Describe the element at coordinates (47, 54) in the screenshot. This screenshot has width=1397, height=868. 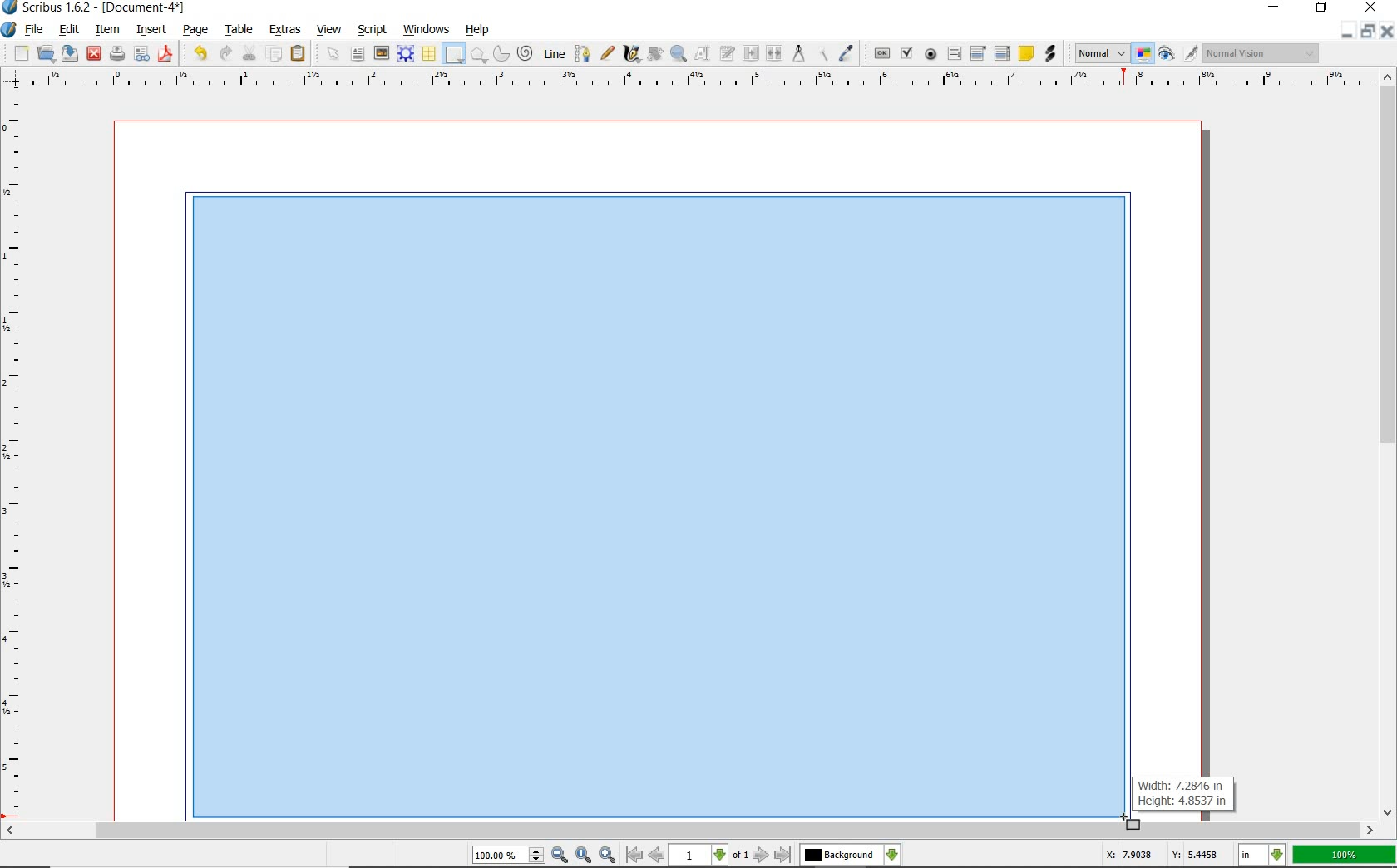
I see `open` at that location.